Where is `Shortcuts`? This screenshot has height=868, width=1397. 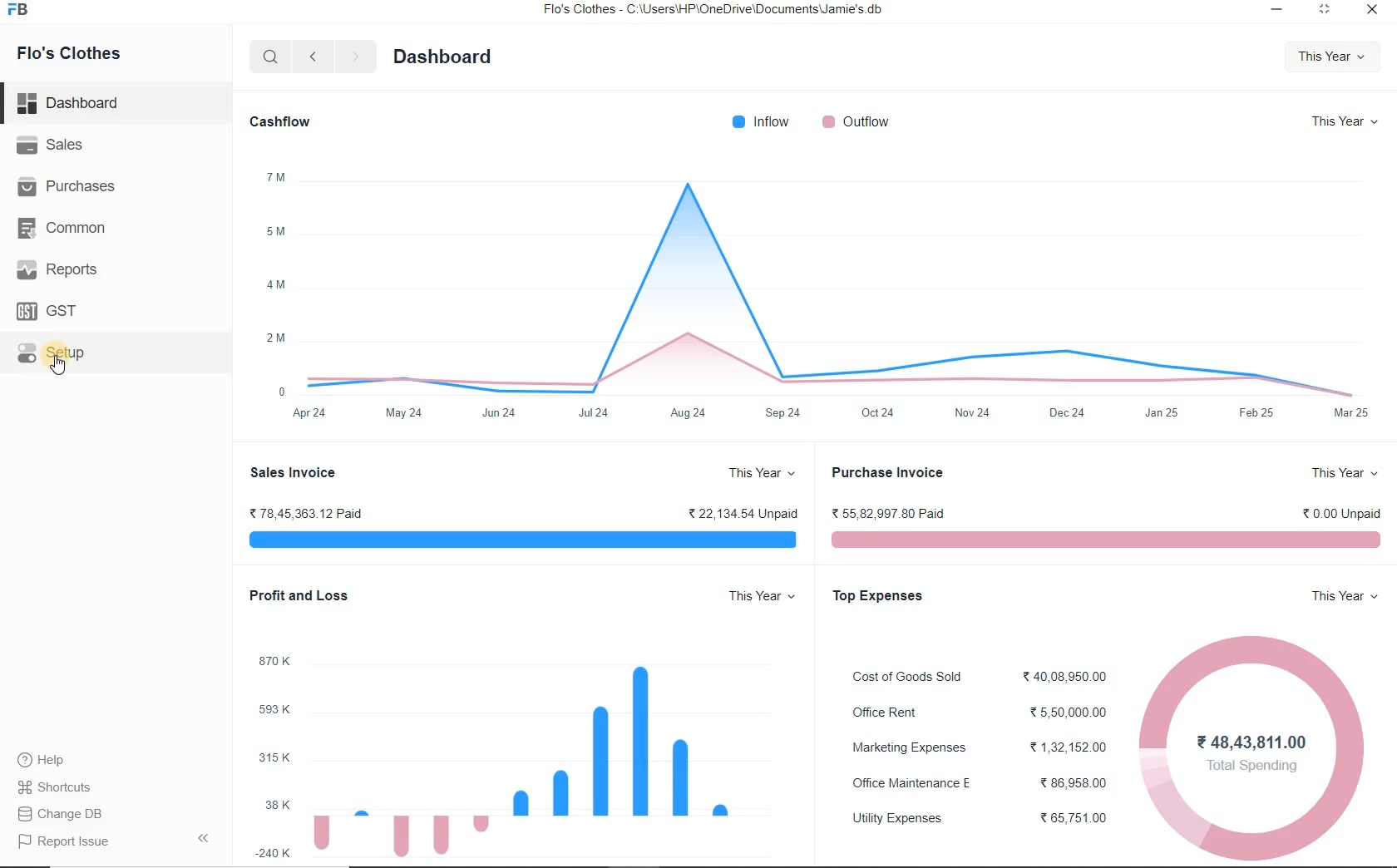 Shortcuts is located at coordinates (56, 787).